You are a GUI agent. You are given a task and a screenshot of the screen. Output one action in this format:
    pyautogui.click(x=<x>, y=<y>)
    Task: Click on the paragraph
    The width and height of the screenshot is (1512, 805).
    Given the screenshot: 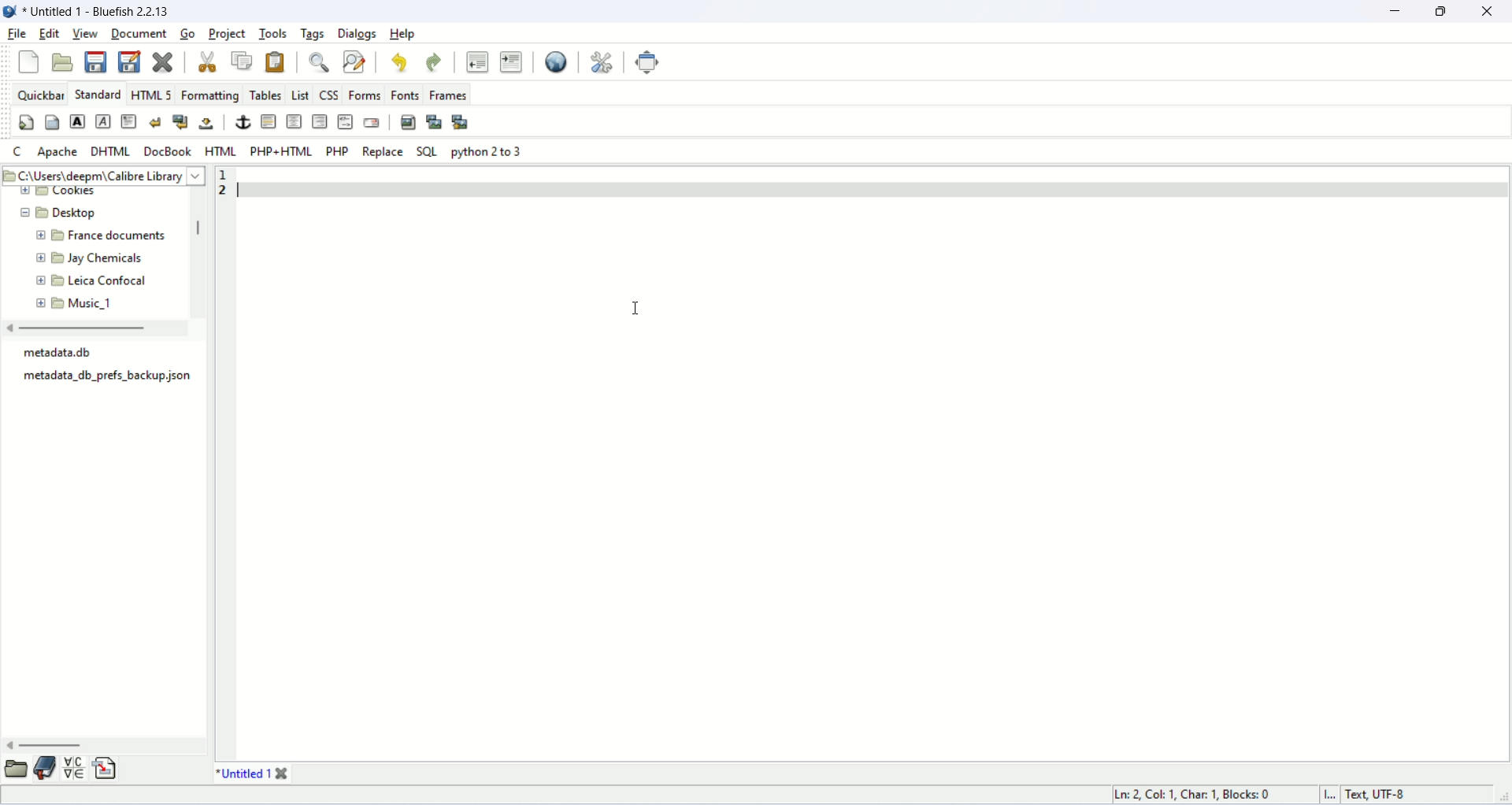 What is the action you would take?
    pyautogui.click(x=128, y=121)
    